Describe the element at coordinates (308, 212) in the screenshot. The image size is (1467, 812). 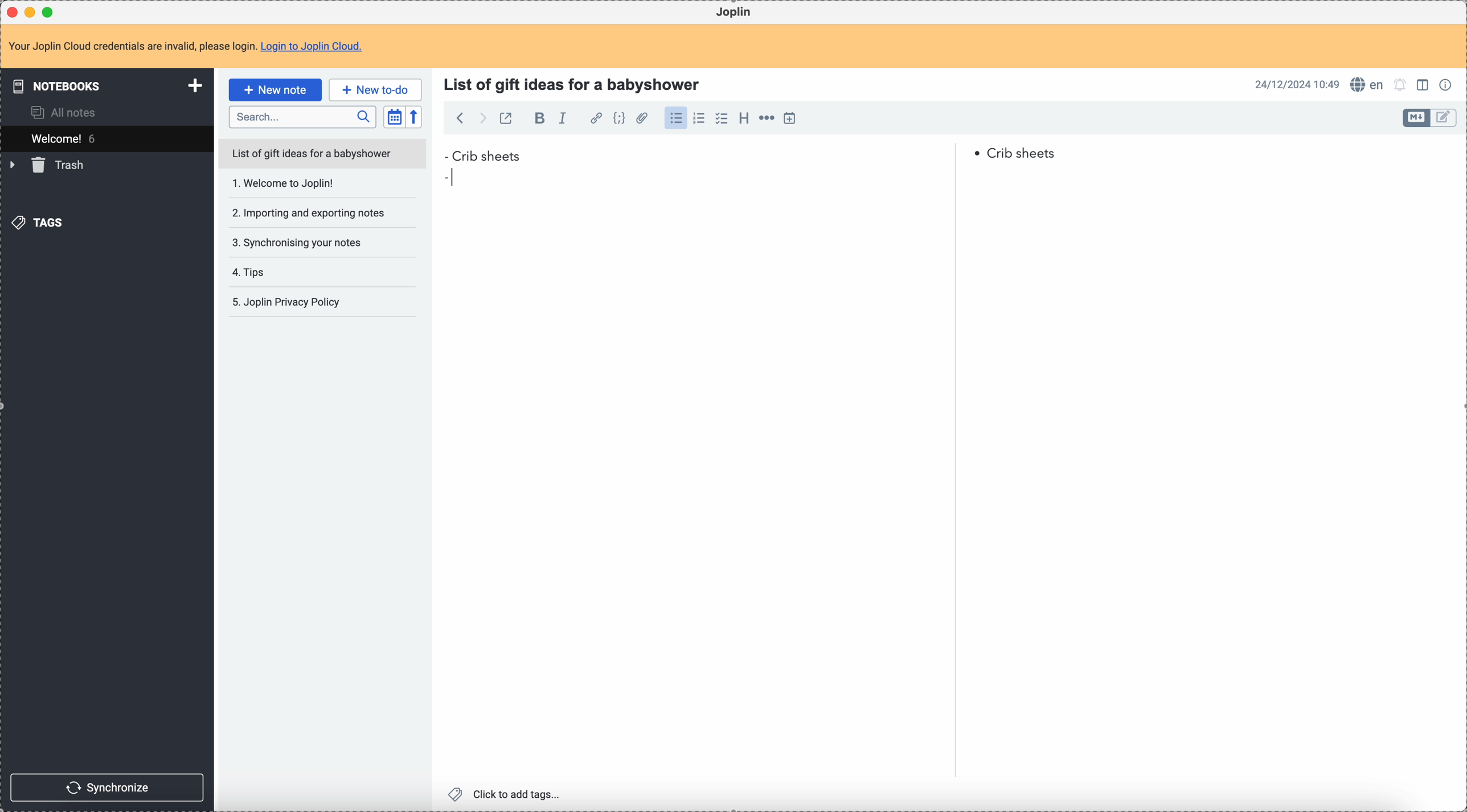
I see `importing and exporting notes` at that location.